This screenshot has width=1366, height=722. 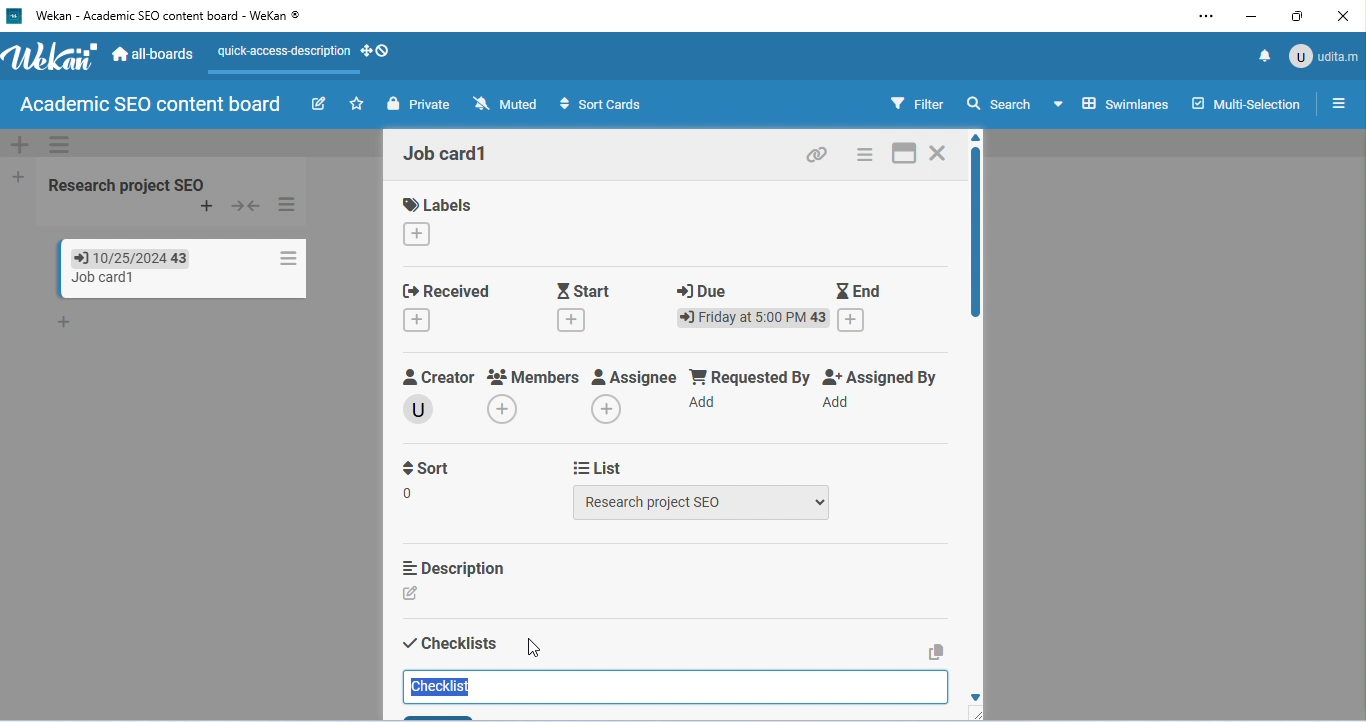 What do you see at coordinates (1297, 16) in the screenshot?
I see `maximize` at bounding box center [1297, 16].